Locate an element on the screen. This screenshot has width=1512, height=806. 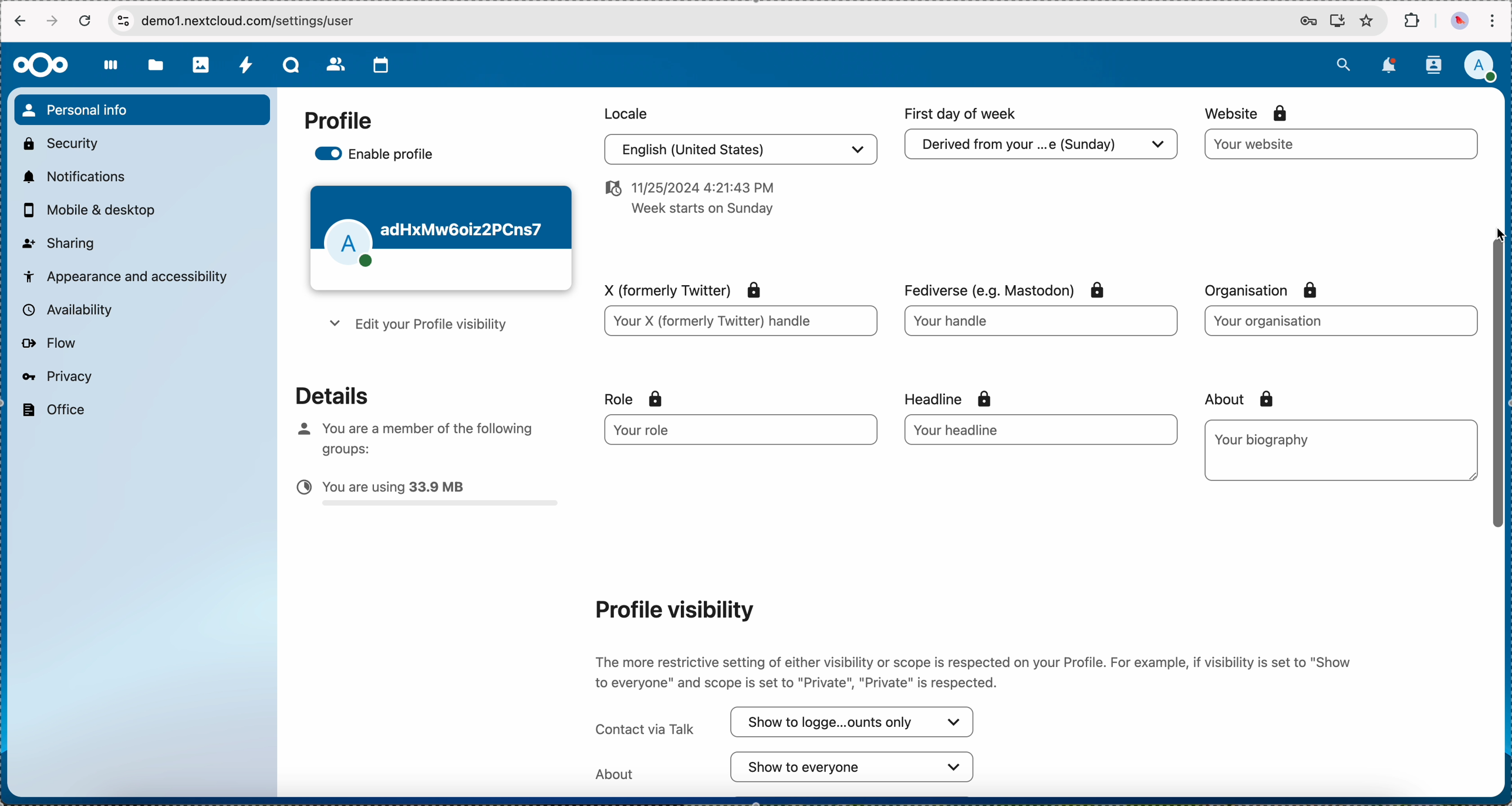
profile picture is located at coordinates (1458, 22).